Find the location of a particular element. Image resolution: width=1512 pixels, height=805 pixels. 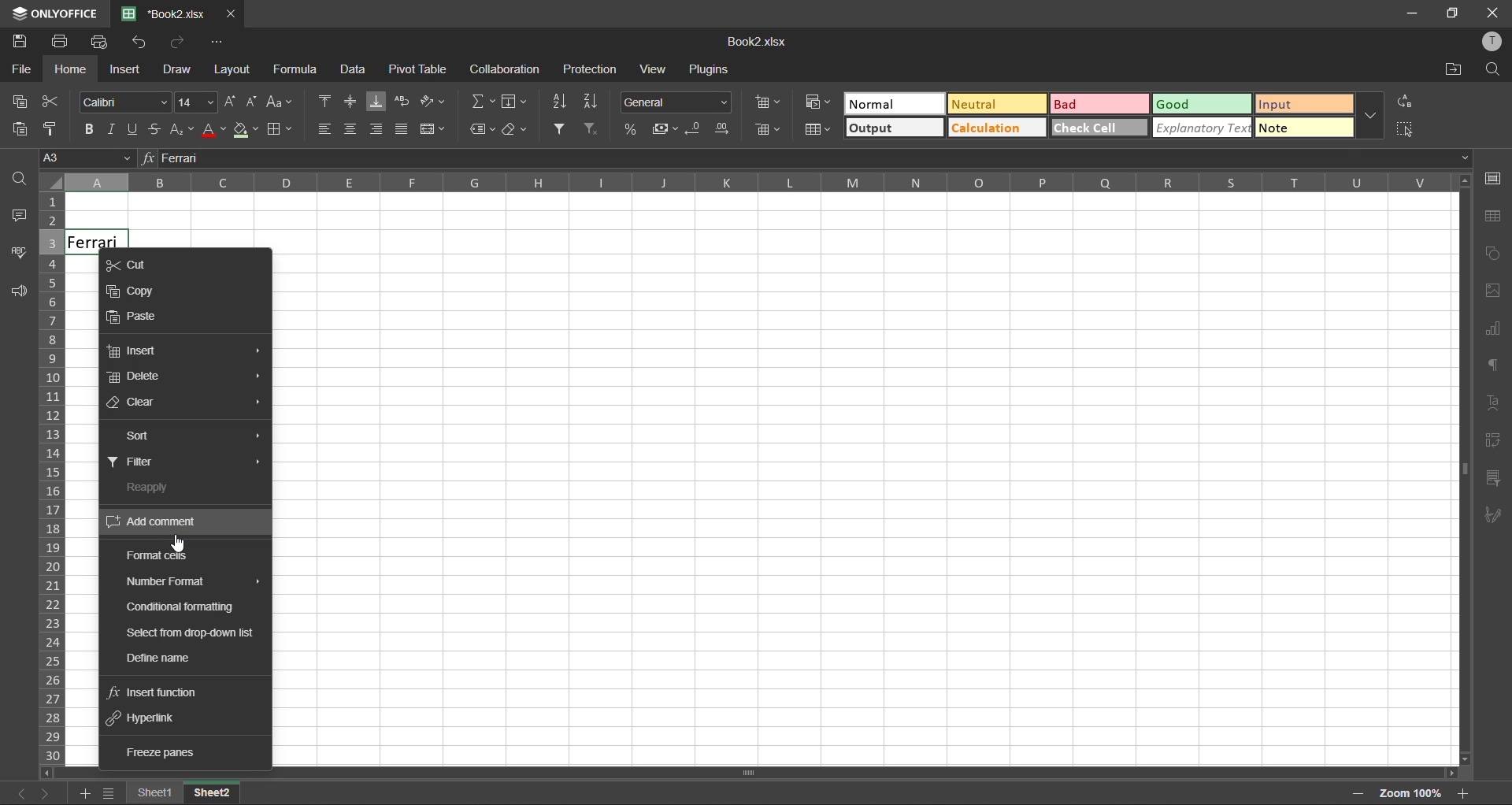

align bottom is located at coordinates (372, 102).